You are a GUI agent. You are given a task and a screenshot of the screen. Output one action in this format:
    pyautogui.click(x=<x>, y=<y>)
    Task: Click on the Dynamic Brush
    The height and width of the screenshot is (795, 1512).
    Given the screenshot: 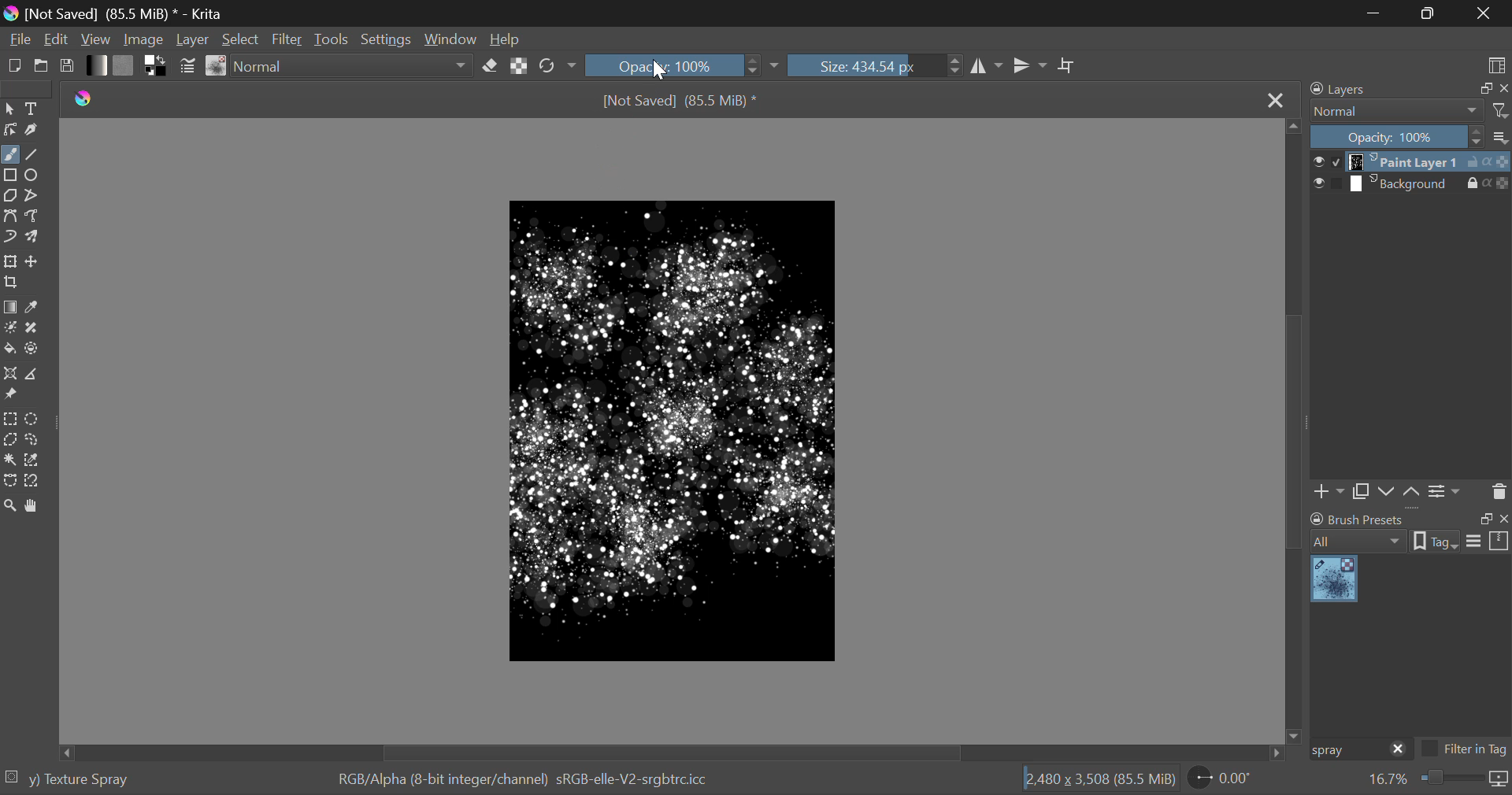 What is the action you would take?
    pyautogui.click(x=9, y=235)
    